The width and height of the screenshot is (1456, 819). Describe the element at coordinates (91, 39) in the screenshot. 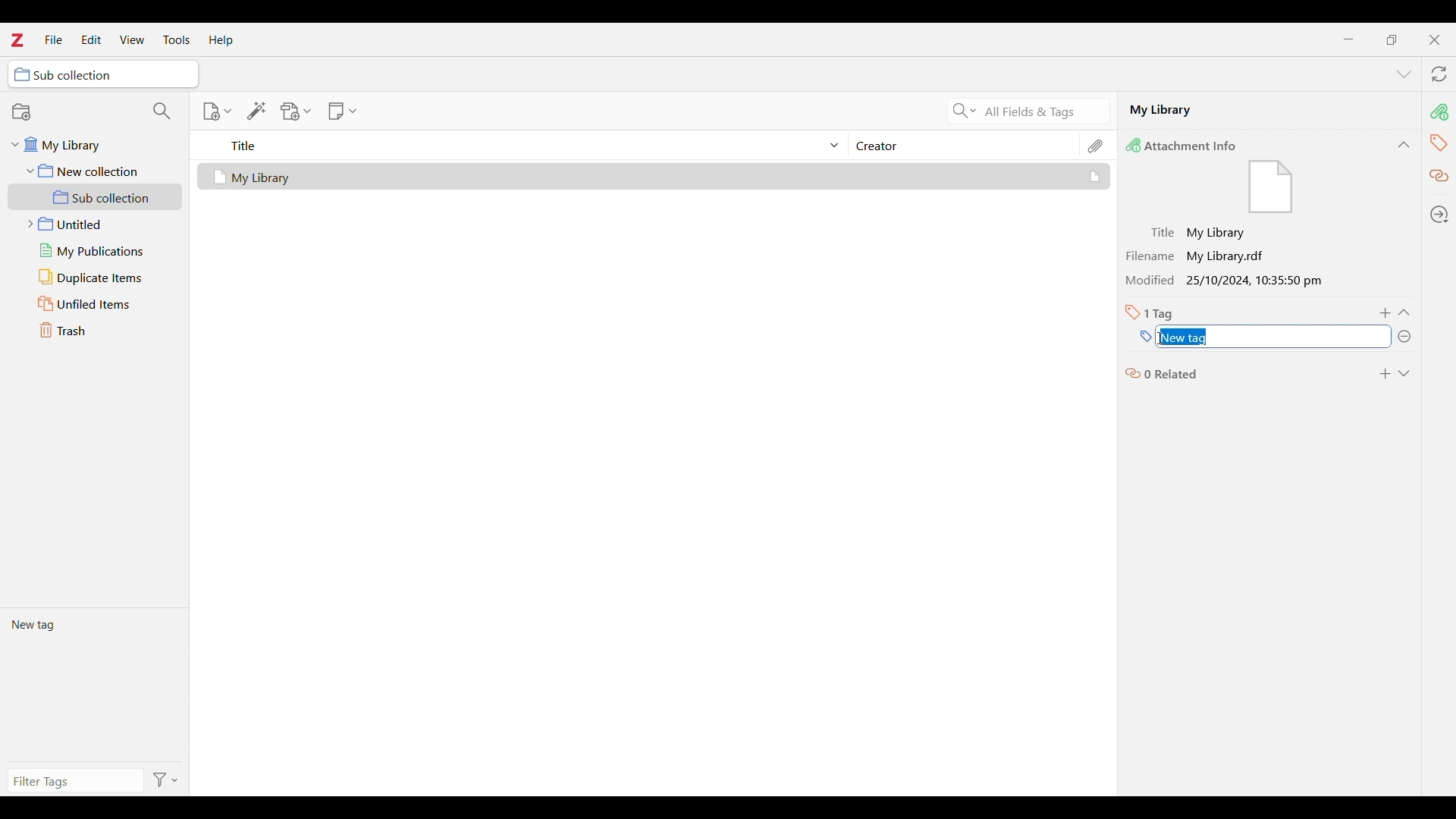

I see `Edit menu` at that location.